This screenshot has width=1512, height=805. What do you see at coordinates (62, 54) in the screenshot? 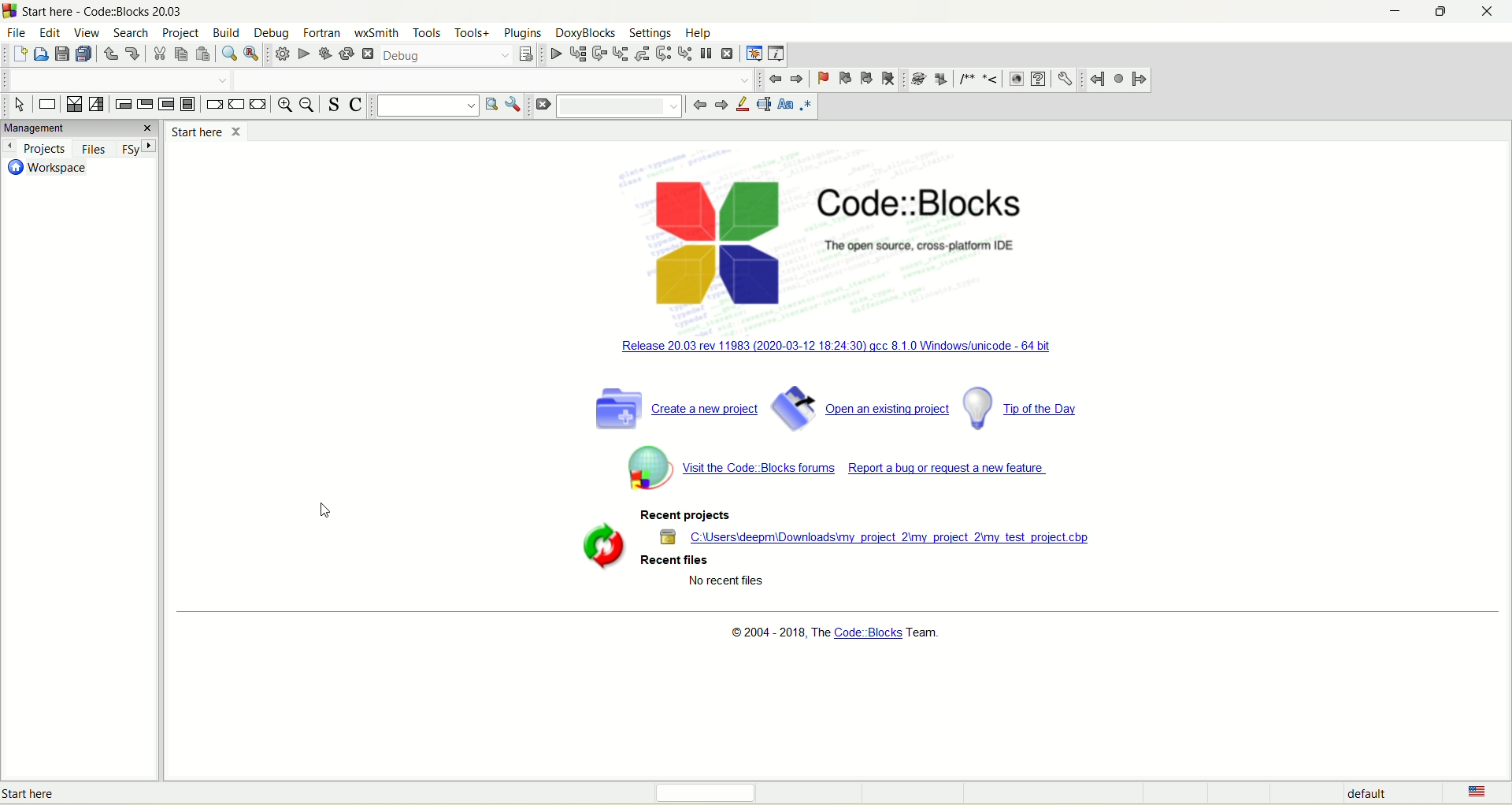
I see `save` at bounding box center [62, 54].